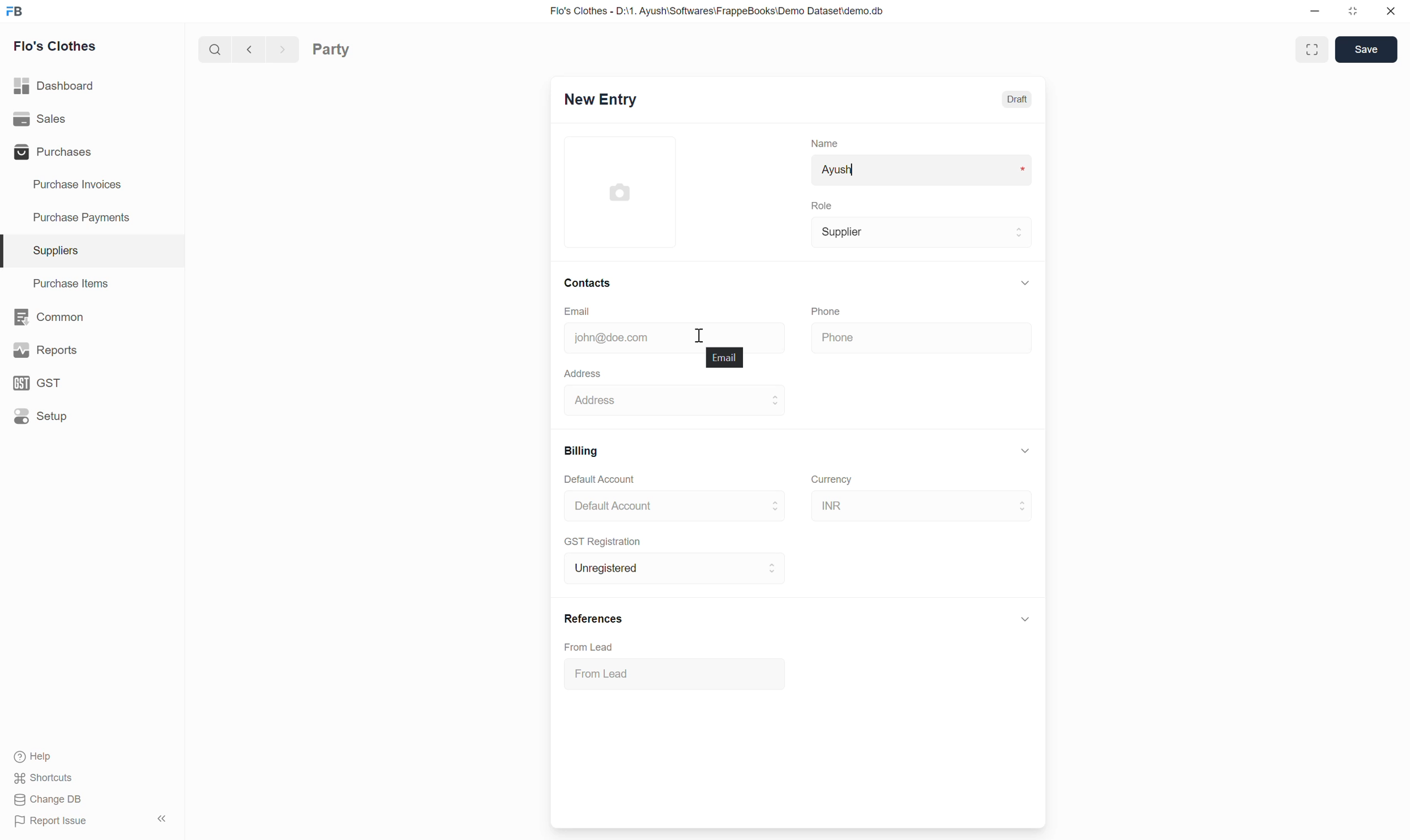  I want to click on Save, so click(1366, 49).